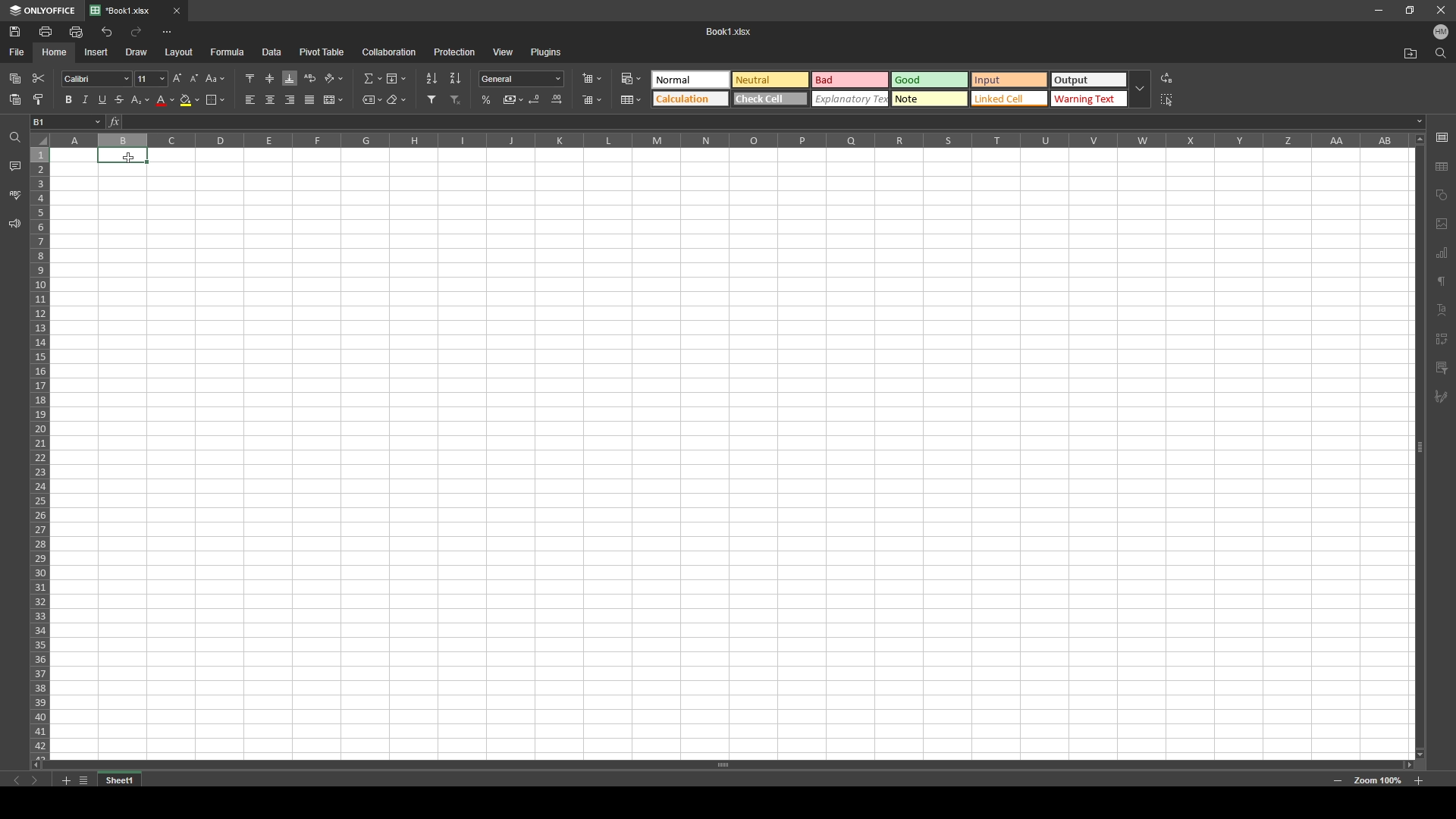 The width and height of the screenshot is (1456, 819). What do you see at coordinates (487, 100) in the screenshot?
I see `percentage style` at bounding box center [487, 100].